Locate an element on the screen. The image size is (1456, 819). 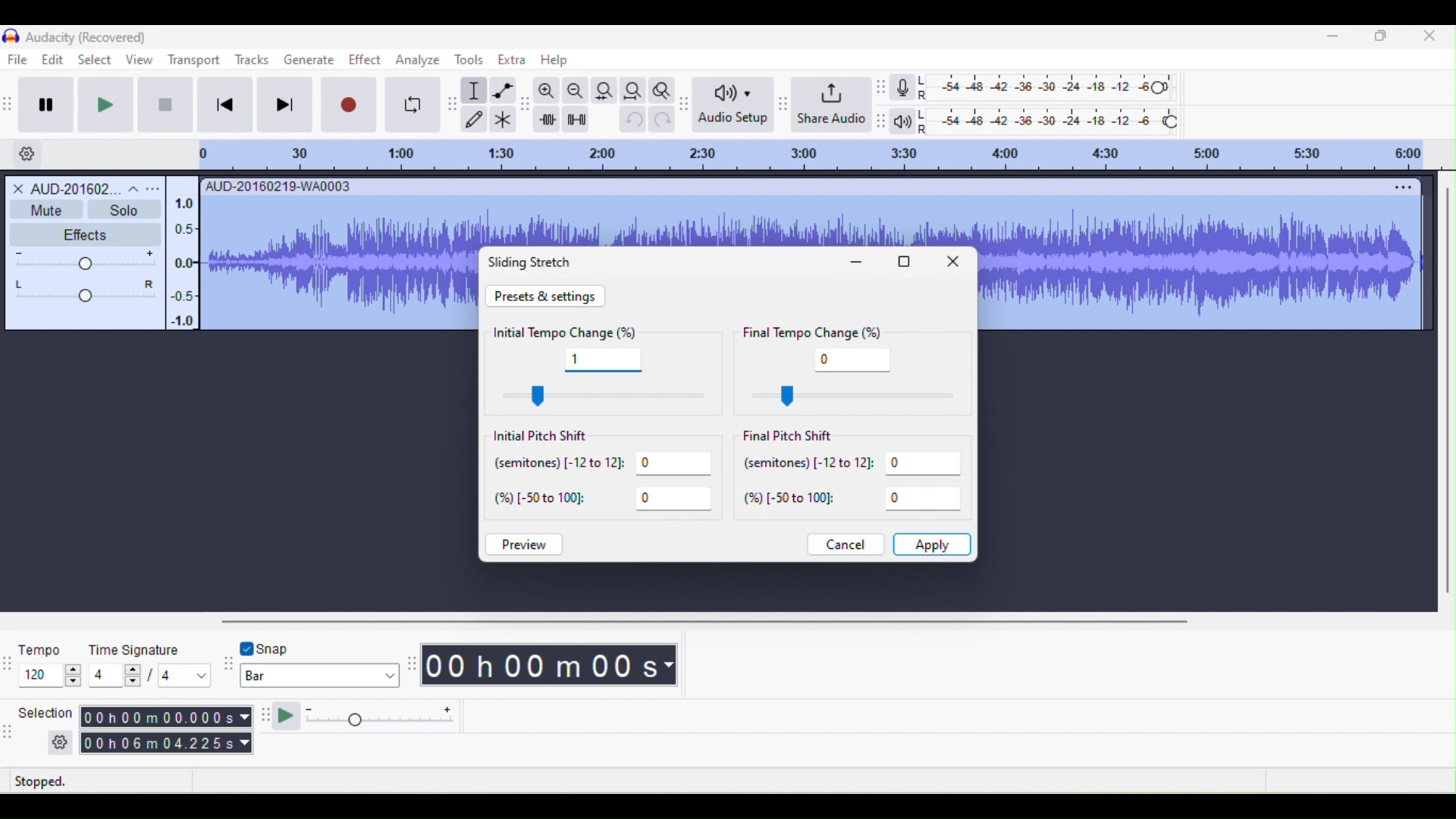
00 h 00 m 00.000 s is located at coordinates (166, 717).